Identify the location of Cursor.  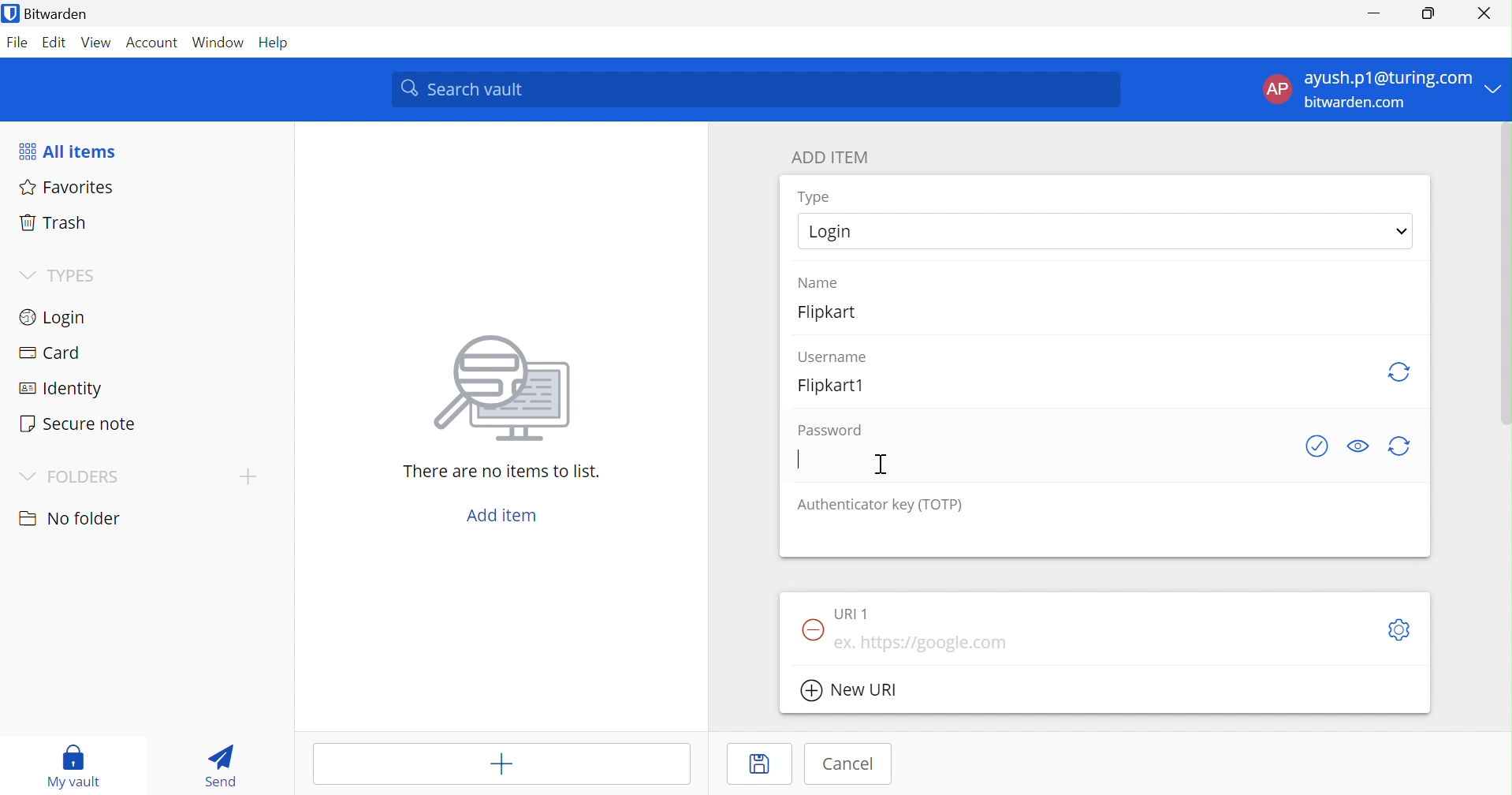
(881, 467).